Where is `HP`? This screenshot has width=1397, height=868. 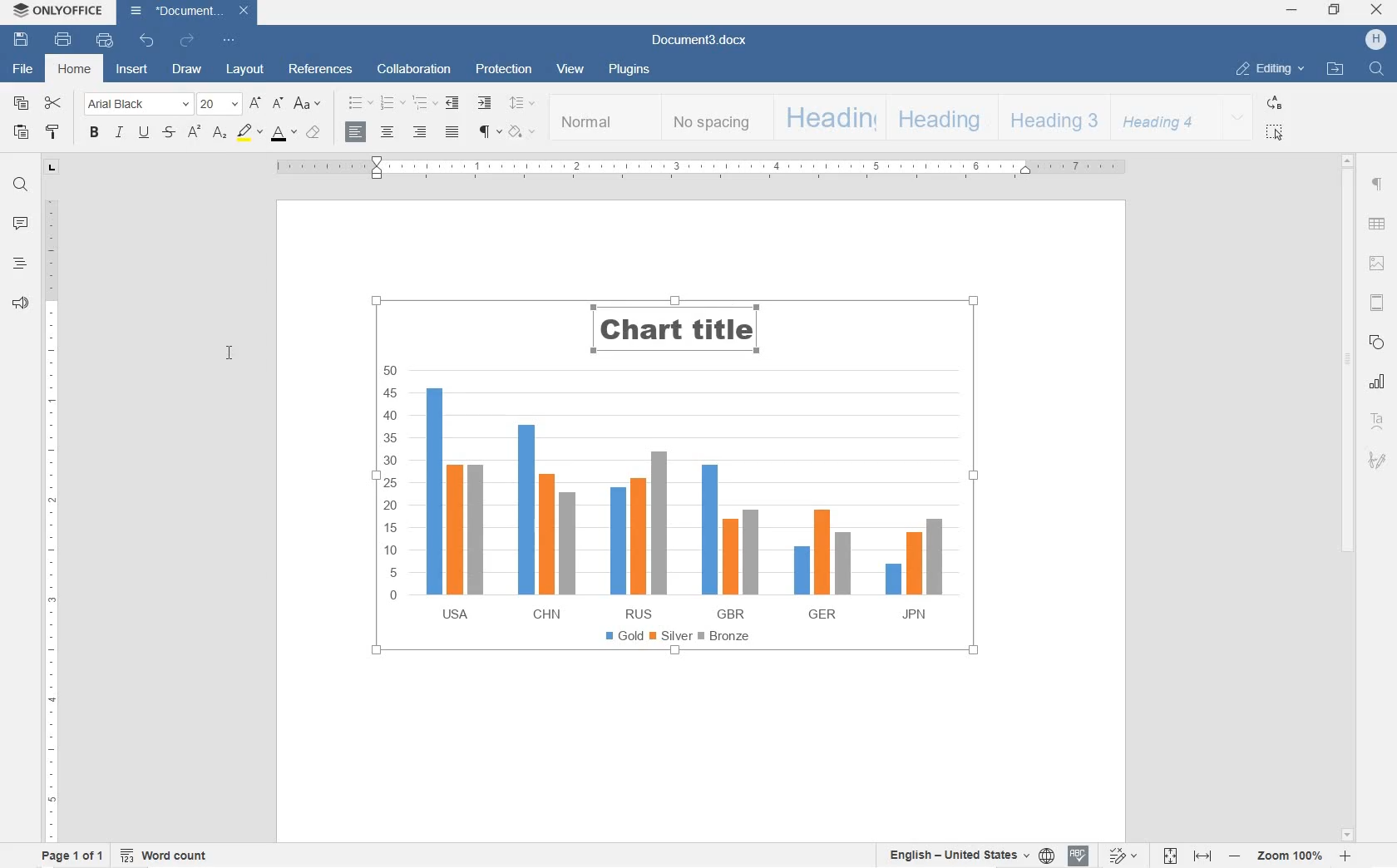 HP is located at coordinates (1375, 39).